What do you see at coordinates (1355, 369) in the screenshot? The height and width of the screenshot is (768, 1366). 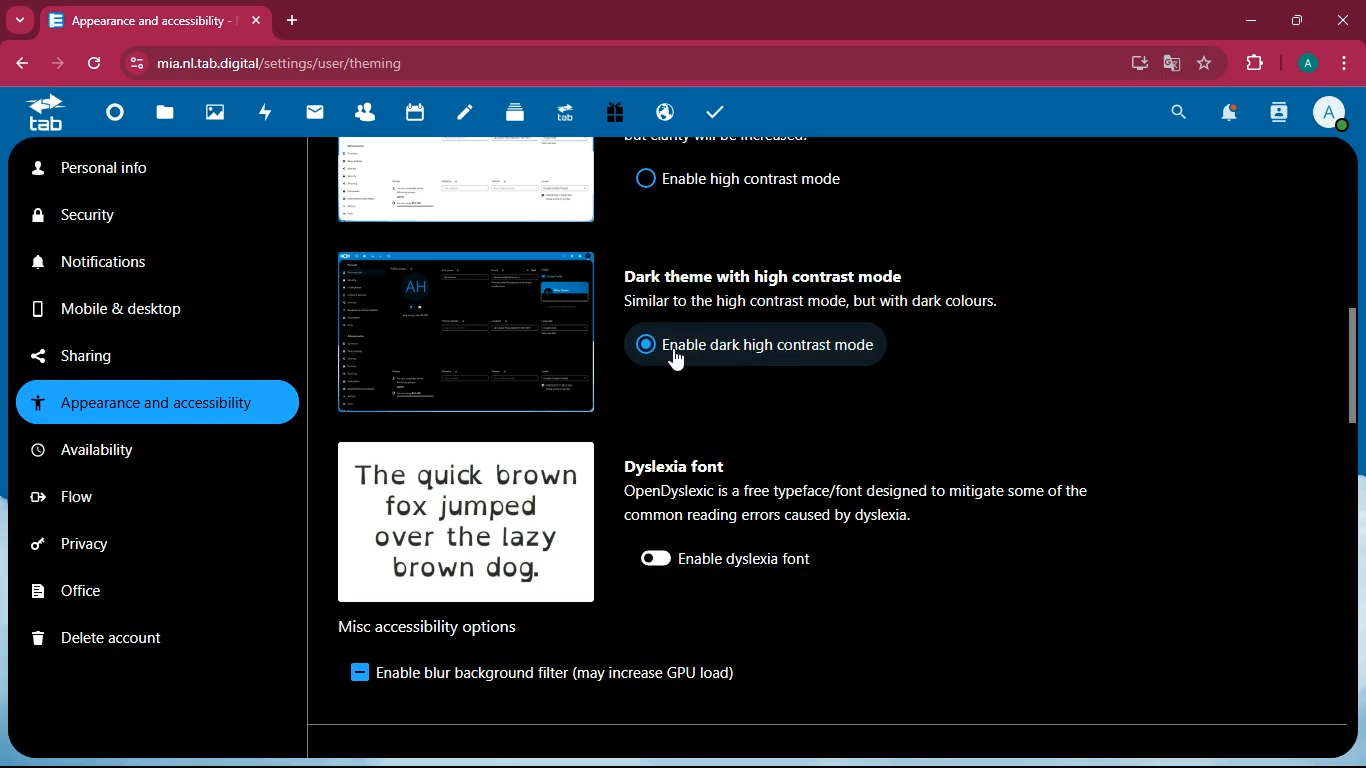 I see `scroll bar` at bounding box center [1355, 369].